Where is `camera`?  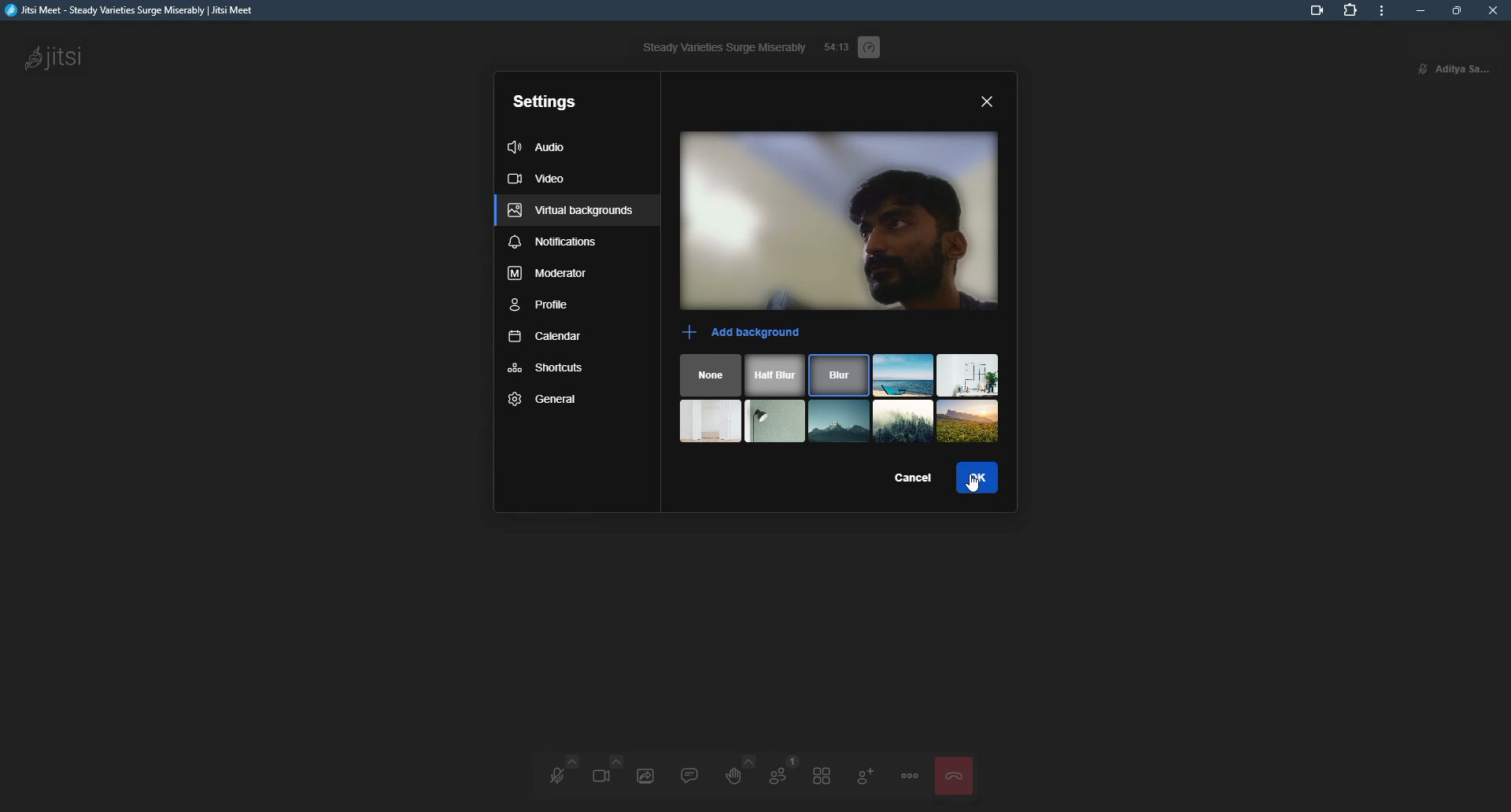 camera is located at coordinates (1311, 12).